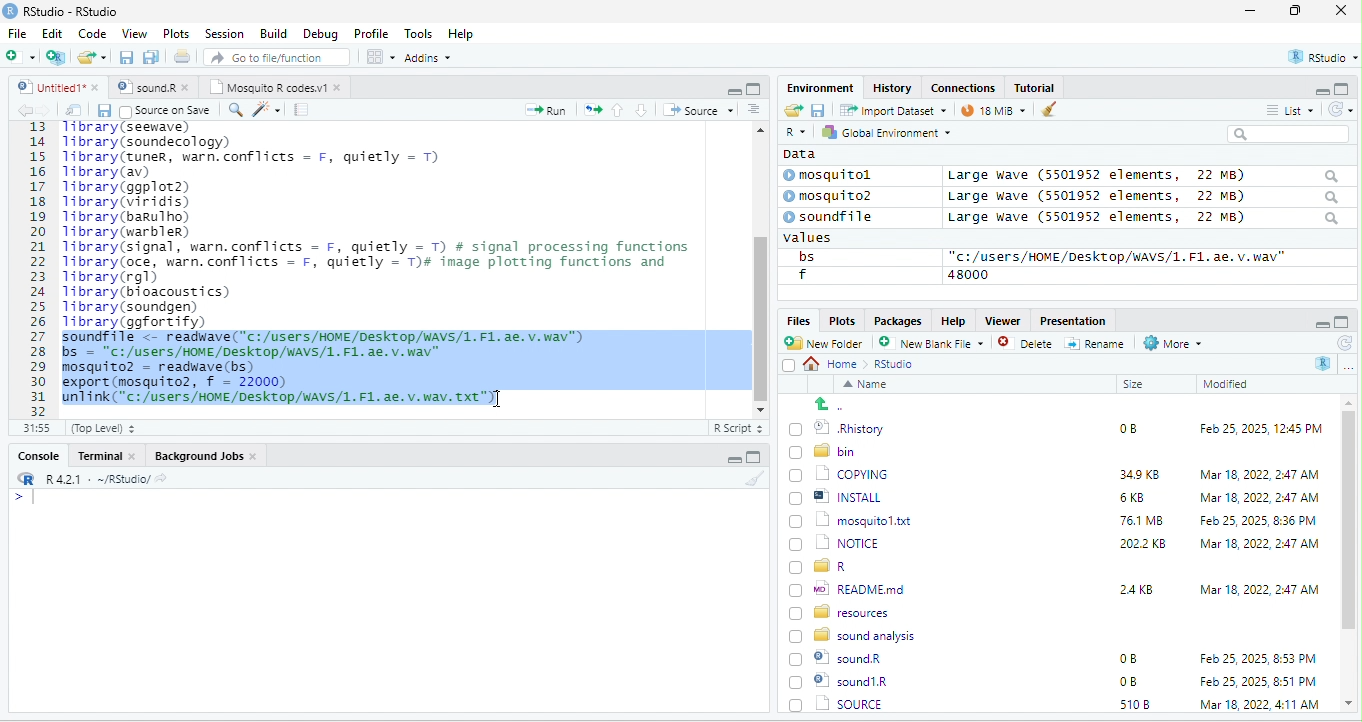  What do you see at coordinates (843, 610) in the screenshot?
I see `BD resources` at bounding box center [843, 610].